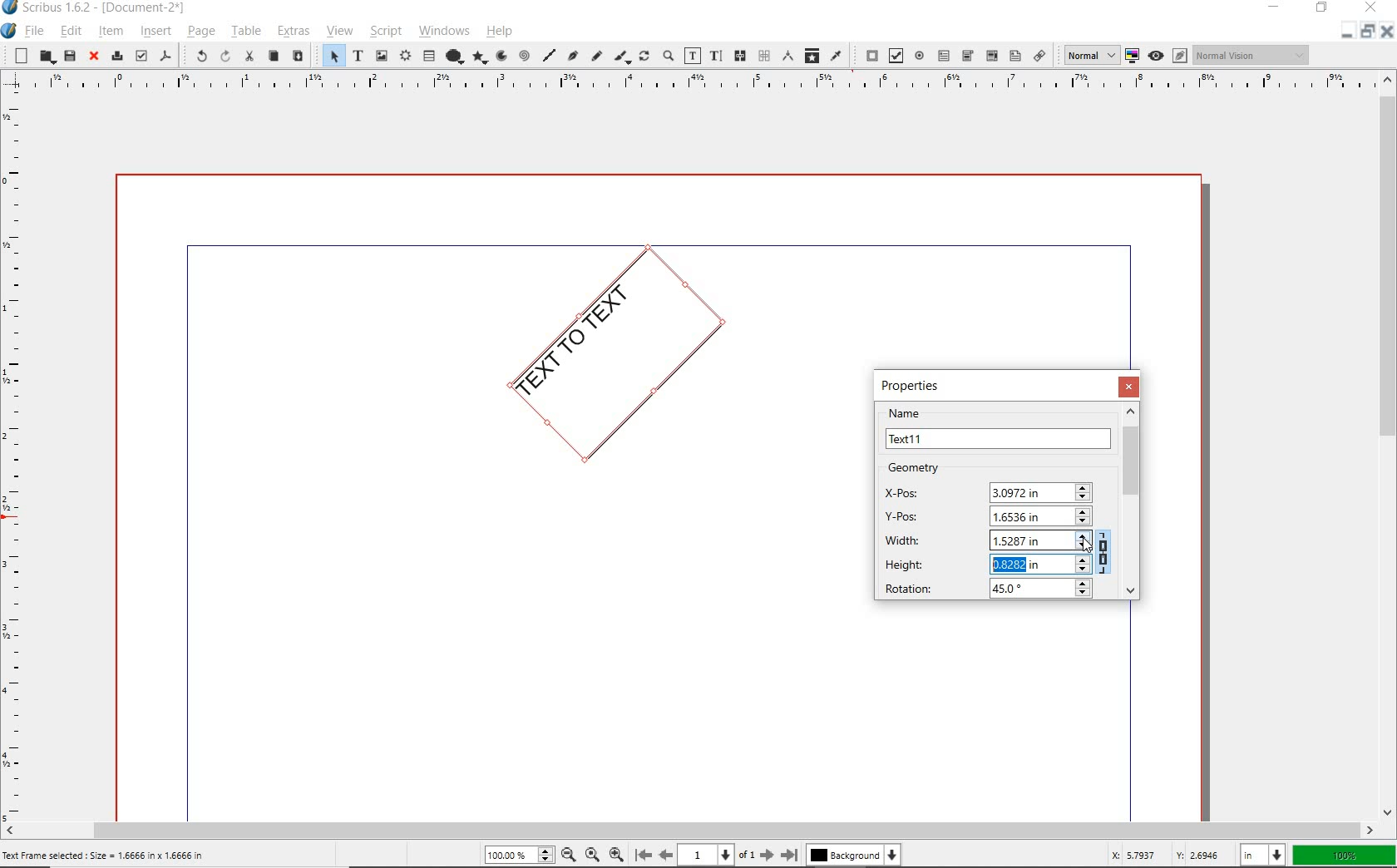 The image size is (1397, 868). Describe the element at coordinates (665, 856) in the screenshot. I see `move to previous` at that location.